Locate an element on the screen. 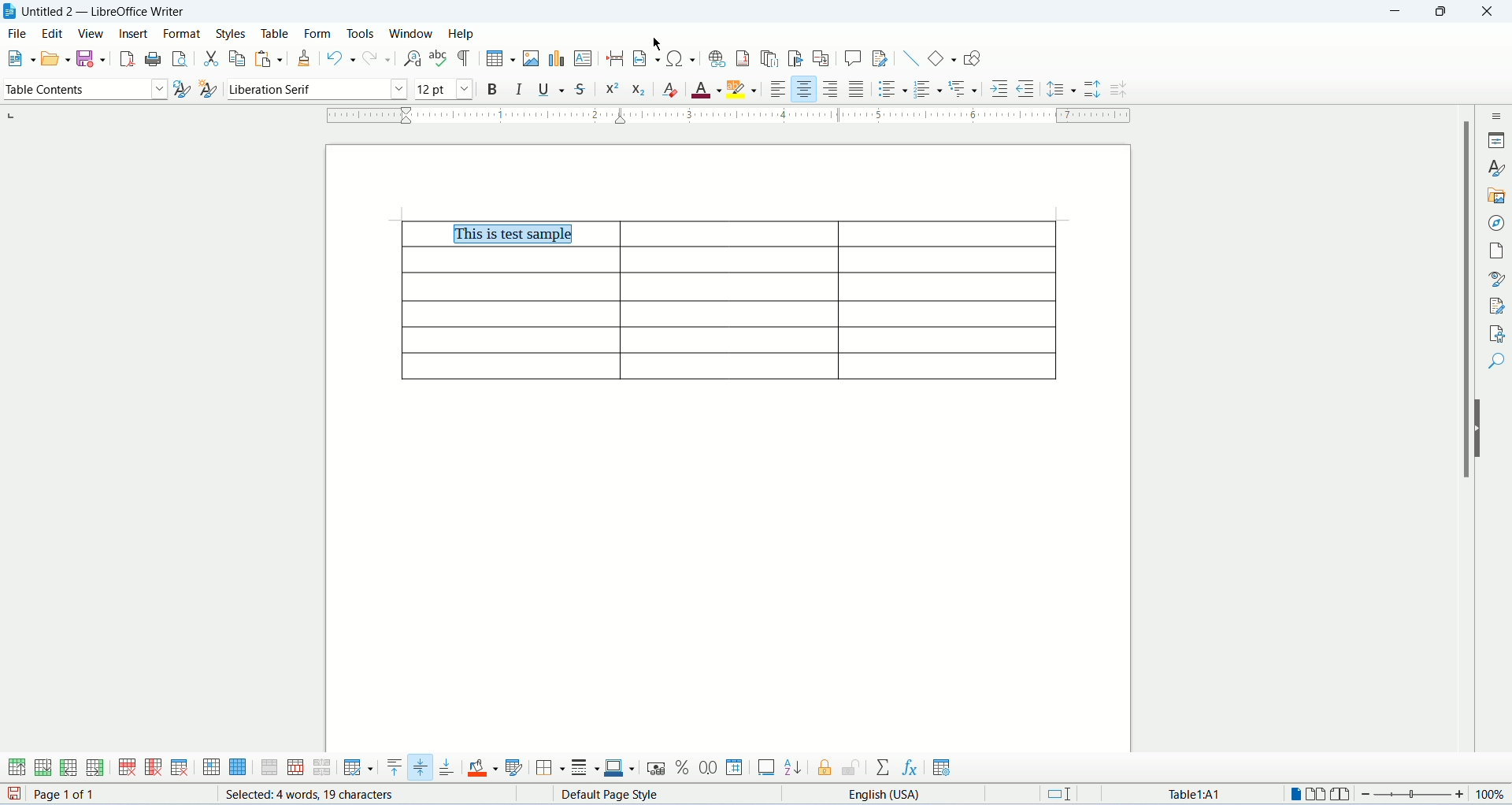  update style is located at coordinates (181, 91).